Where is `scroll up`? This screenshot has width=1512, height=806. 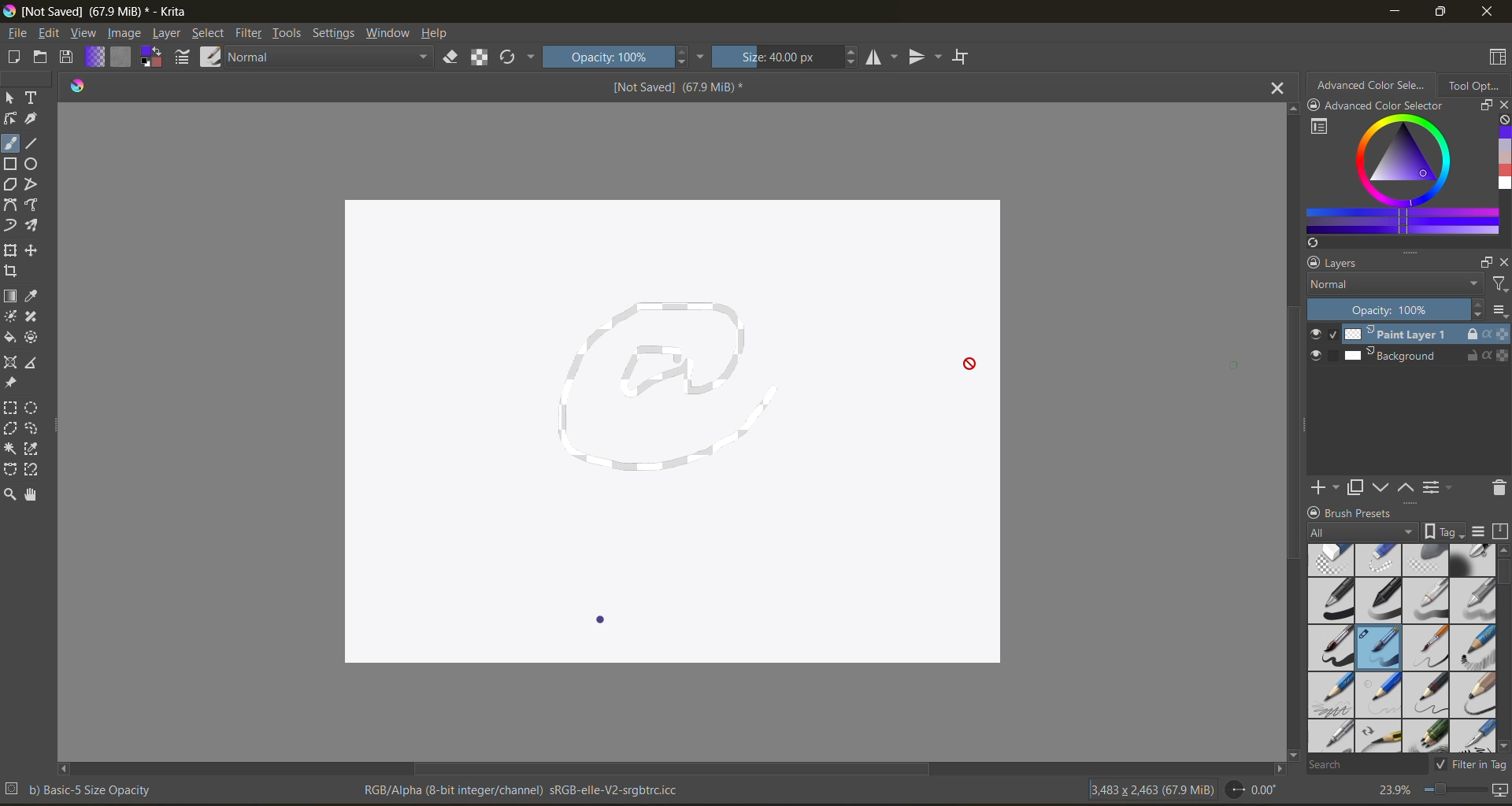
scroll up is located at coordinates (1503, 549).